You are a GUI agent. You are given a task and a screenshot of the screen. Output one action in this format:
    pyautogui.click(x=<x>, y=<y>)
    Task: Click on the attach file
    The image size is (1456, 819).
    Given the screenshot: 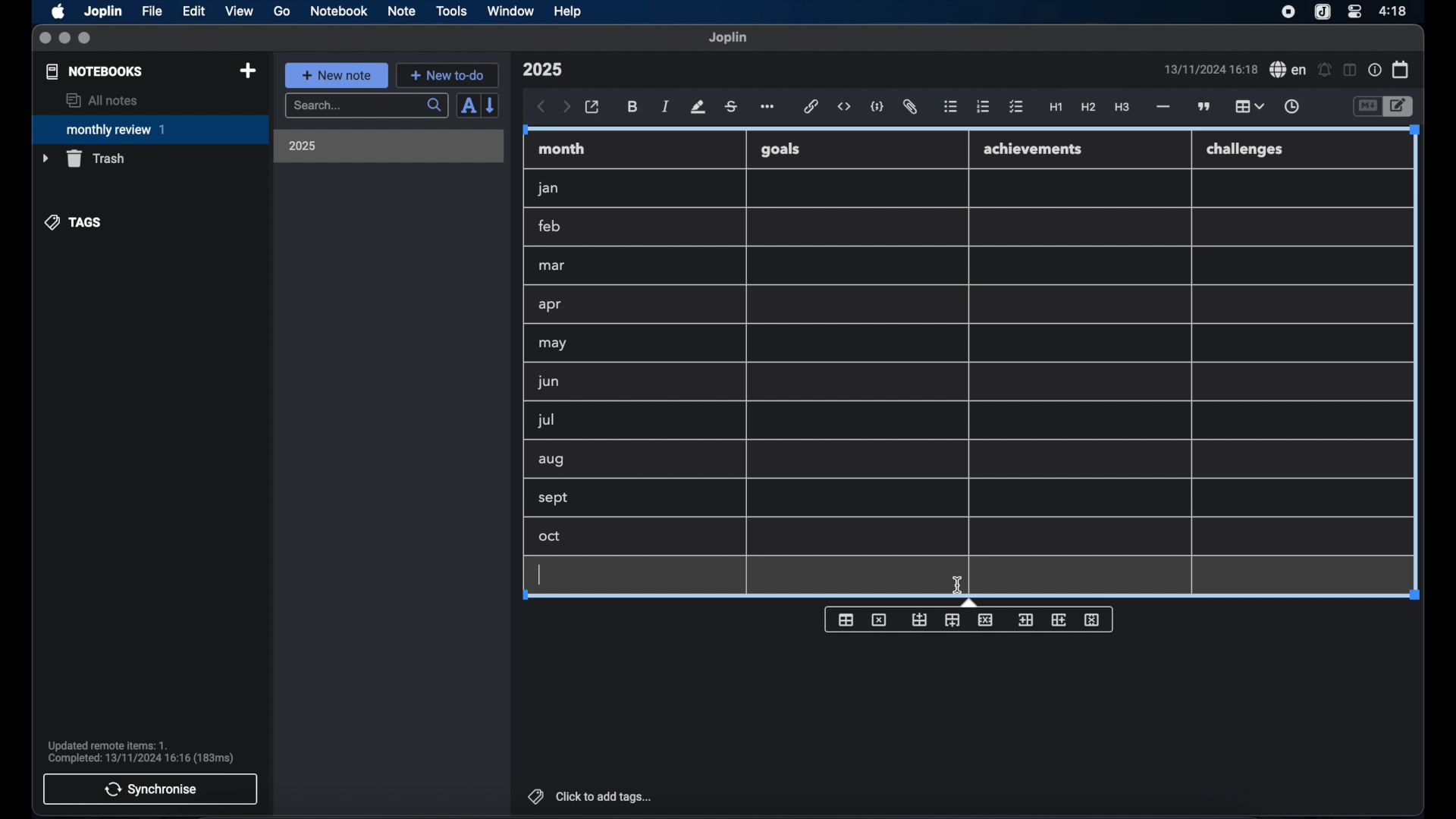 What is the action you would take?
    pyautogui.click(x=910, y=107)
    